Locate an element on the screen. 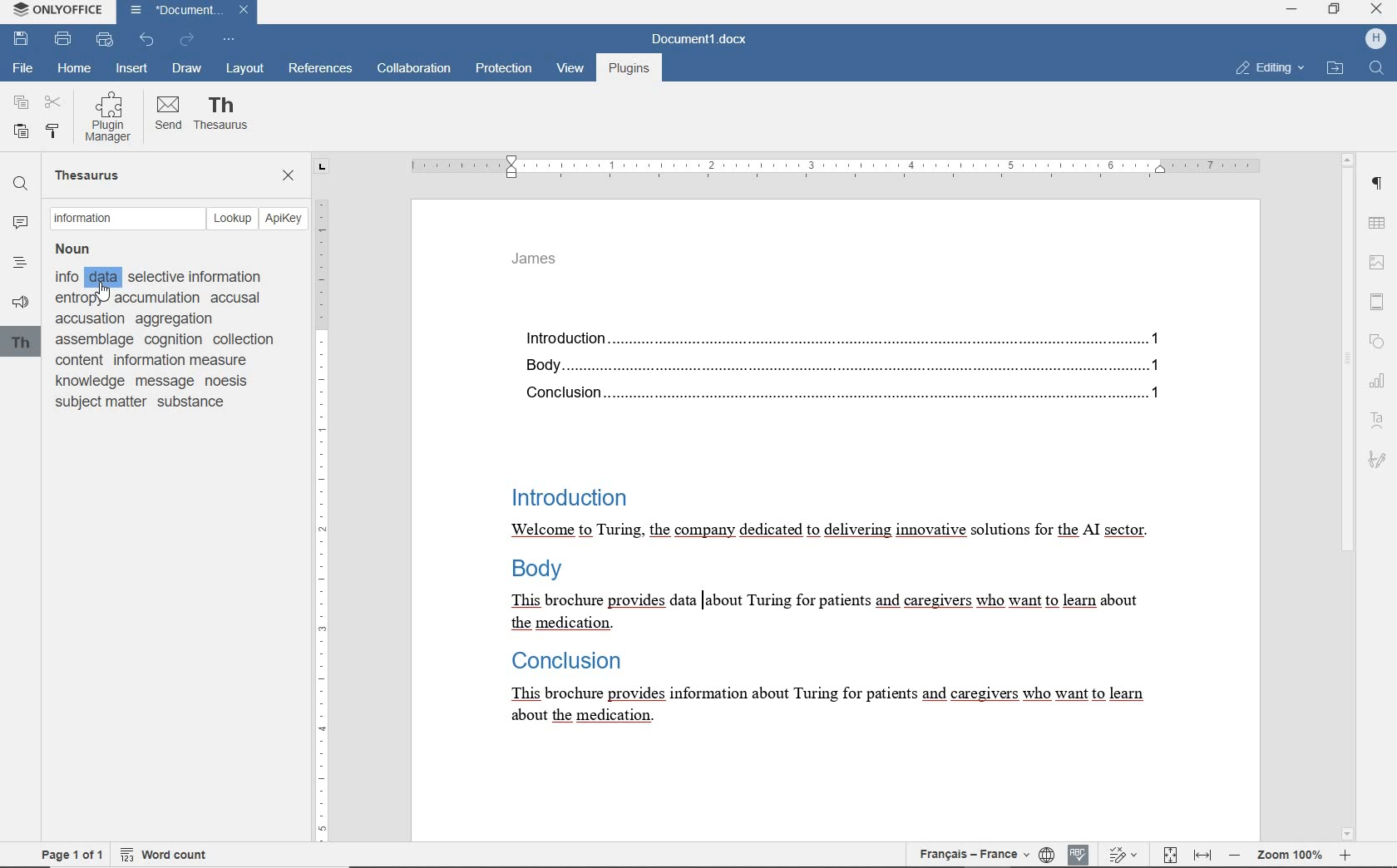  FIT TO WIDTH is located at coordinates (1202, 856).